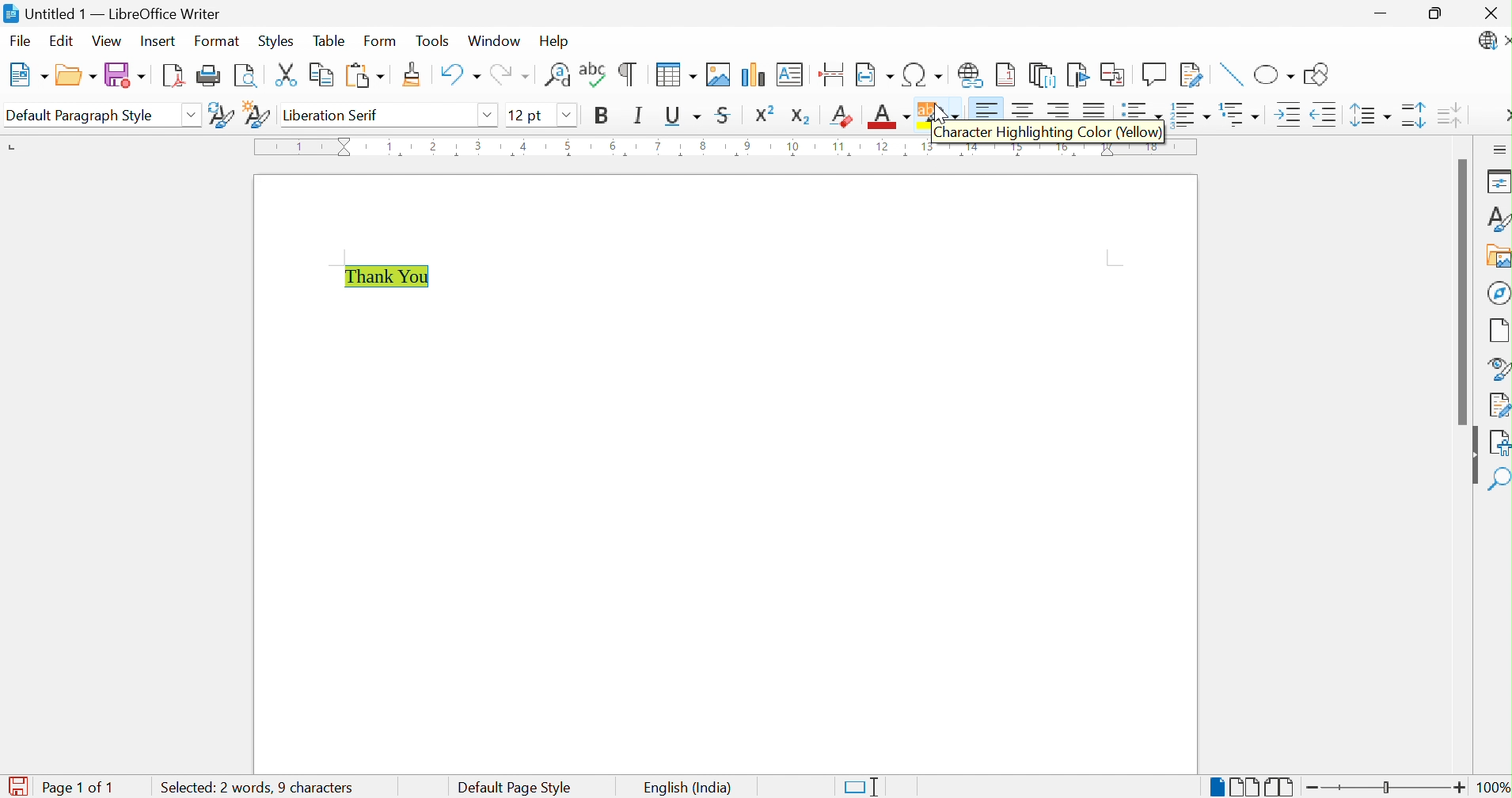  What do you see at coordinates (382, 41) in the screenshot?
I see `Form` at bounding box center [382, 41].